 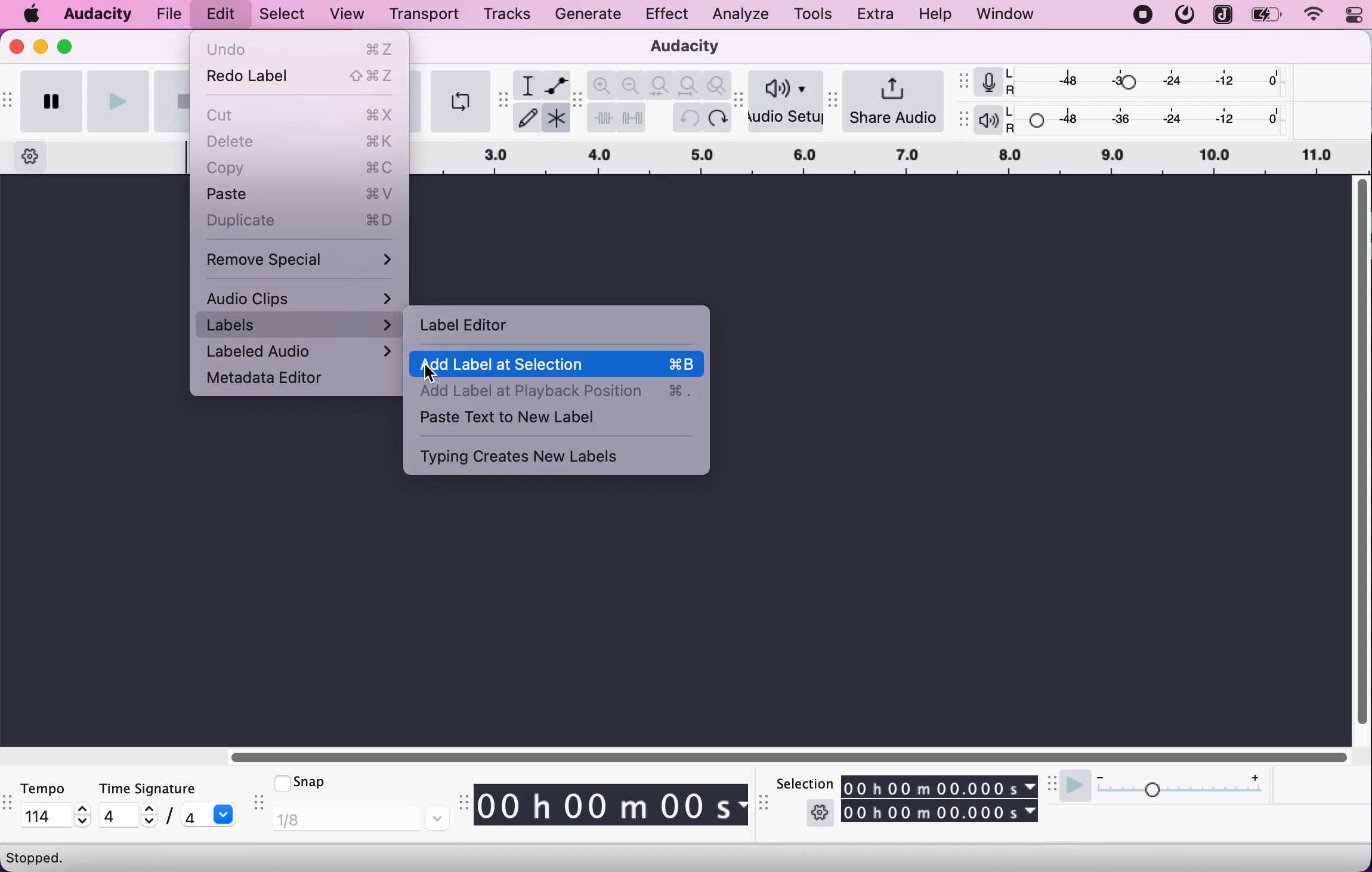 I want to click on audacity recording meter toolbar, so click(x=962, y=80).